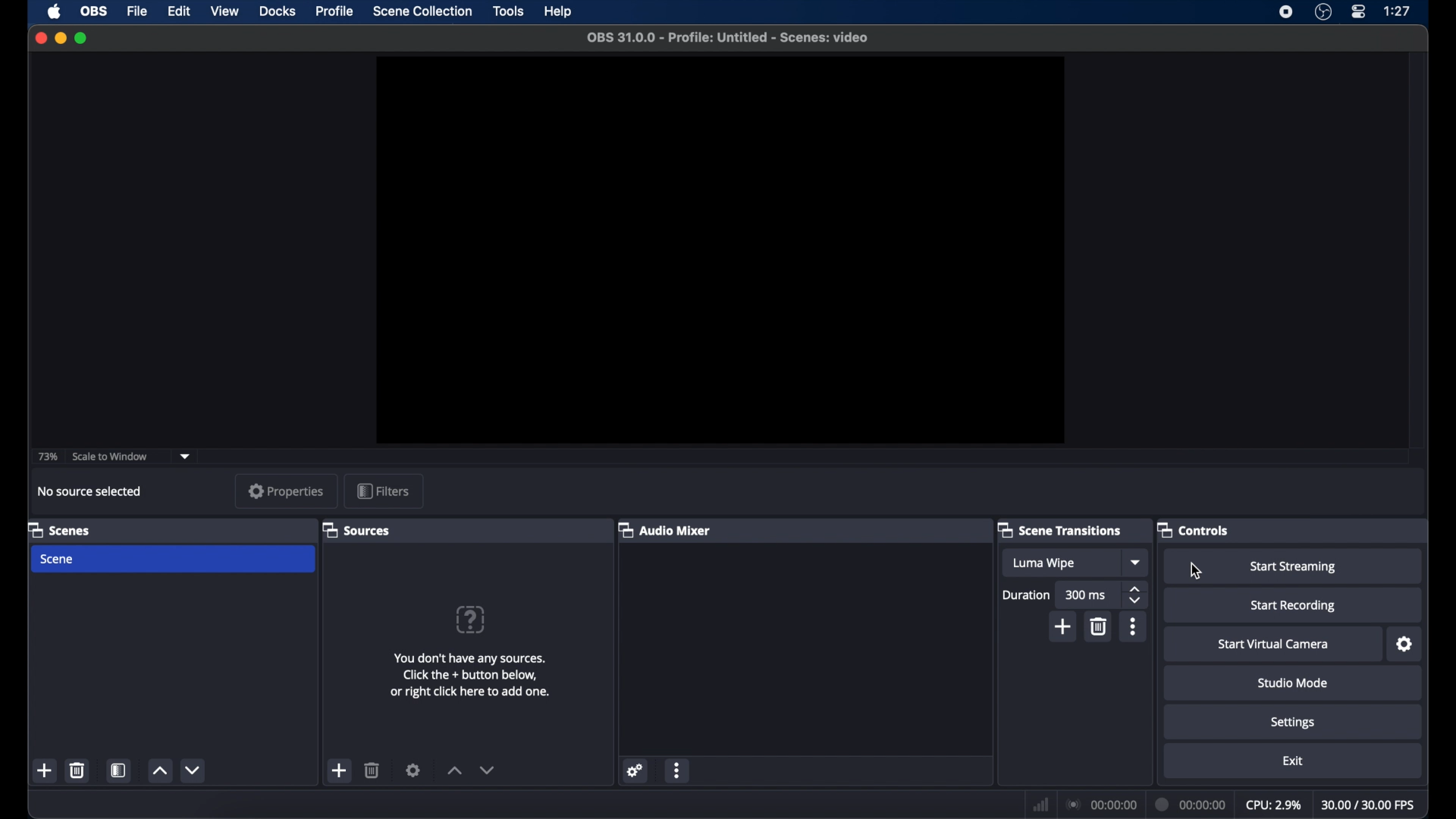  I want to click on scene, so click(59, 529).